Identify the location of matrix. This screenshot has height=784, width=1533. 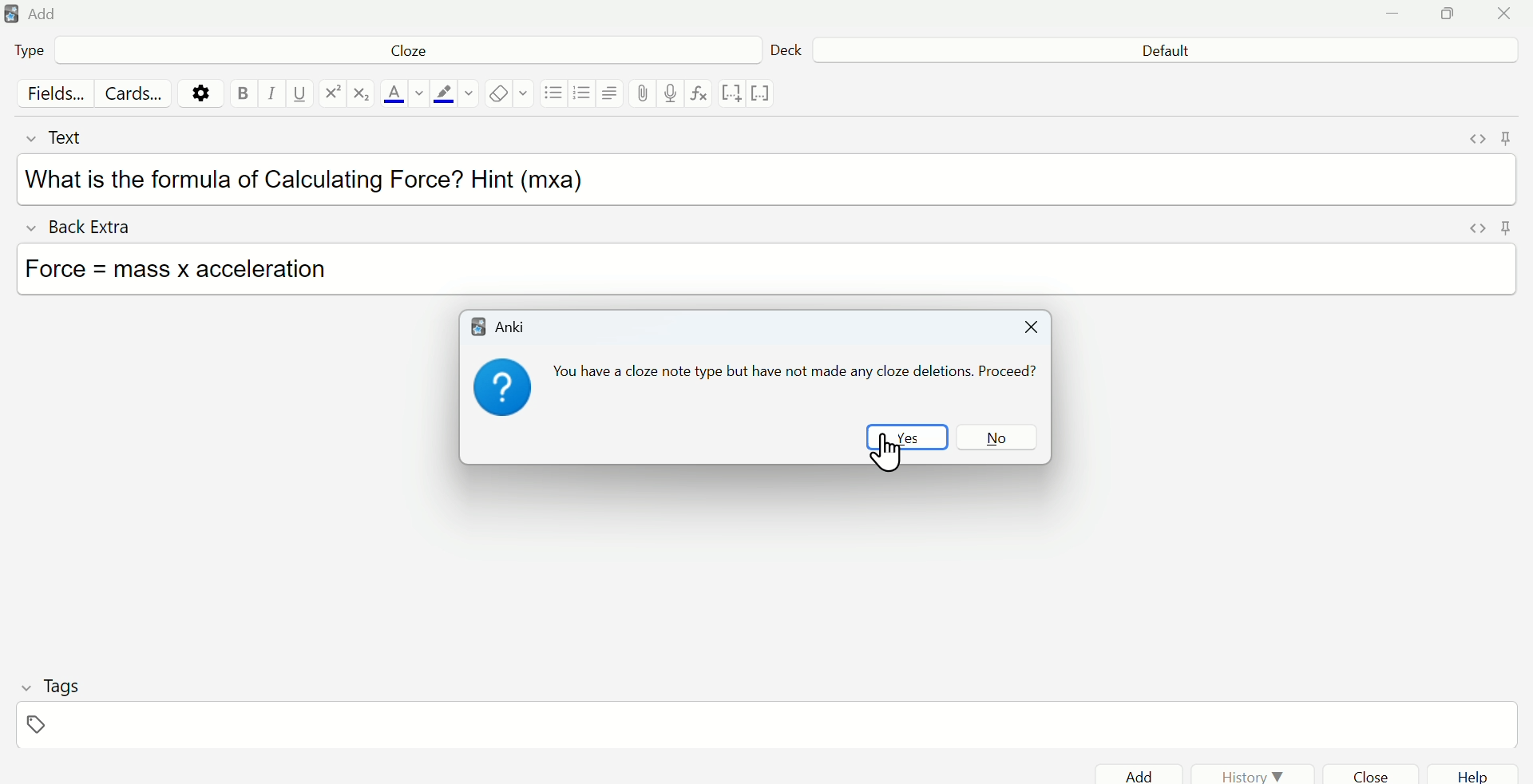
(362, 96).